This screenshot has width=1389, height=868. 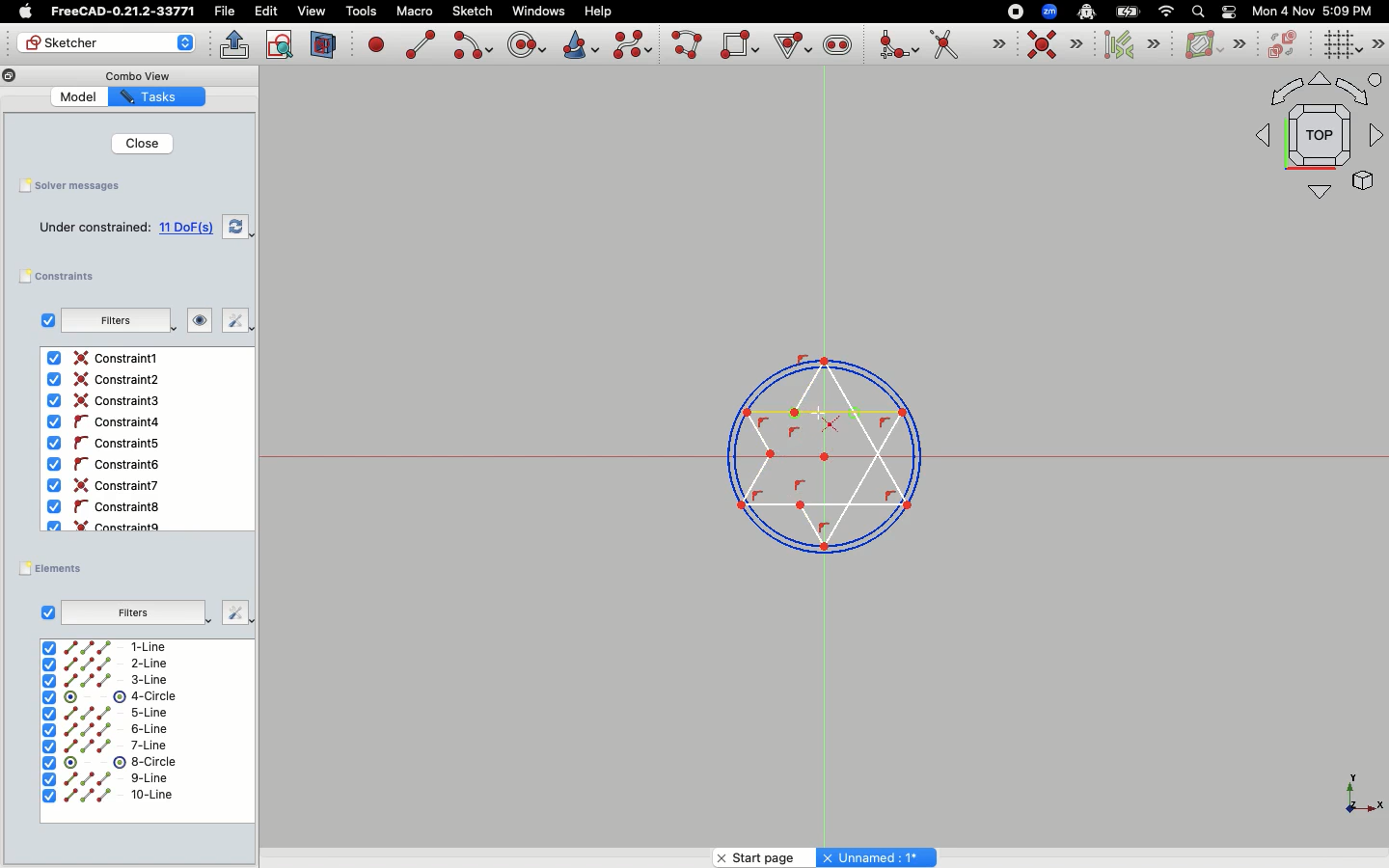 What do you see at coordinates (118, 664) in the screenshot?
I see `2-Line` at bounding box center [118, 664].